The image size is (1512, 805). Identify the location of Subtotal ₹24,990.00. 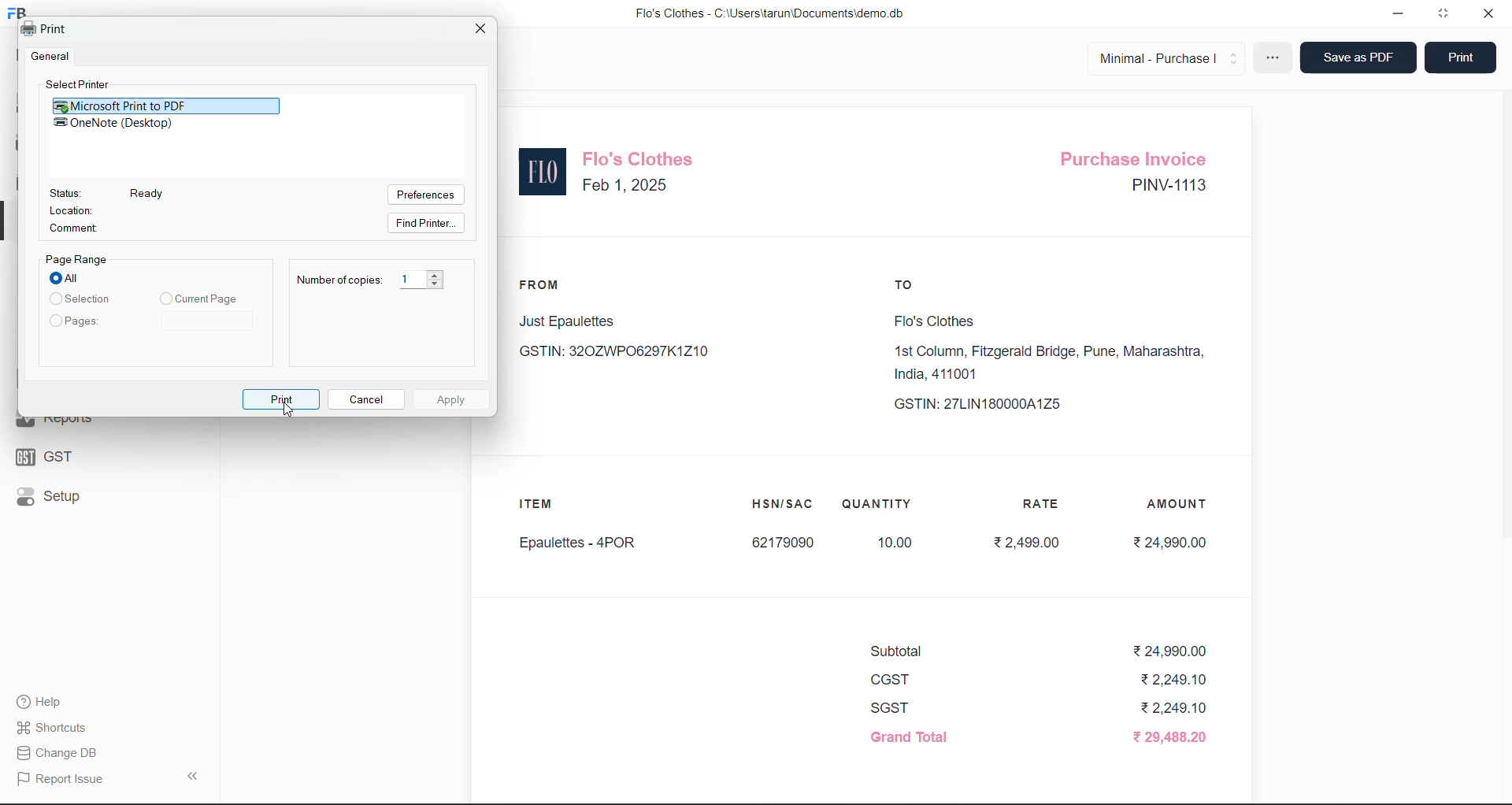
(1036, 653).